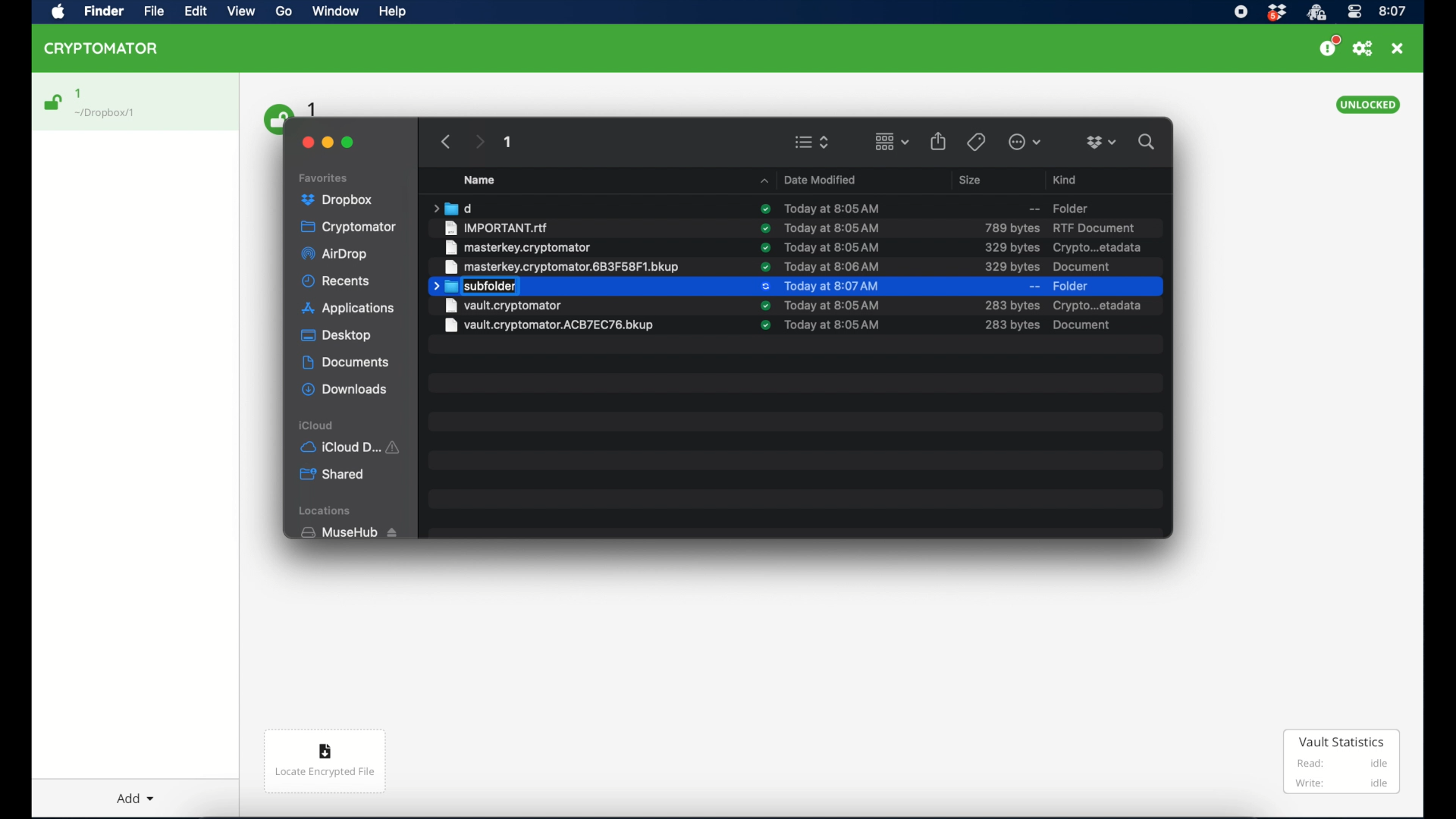 Image resolution: width=1456 pixels, height=819 pixels. What do you see at coordinates (337, 281) in the screenshot?
I see `recents` at bounding box center [337, 281].